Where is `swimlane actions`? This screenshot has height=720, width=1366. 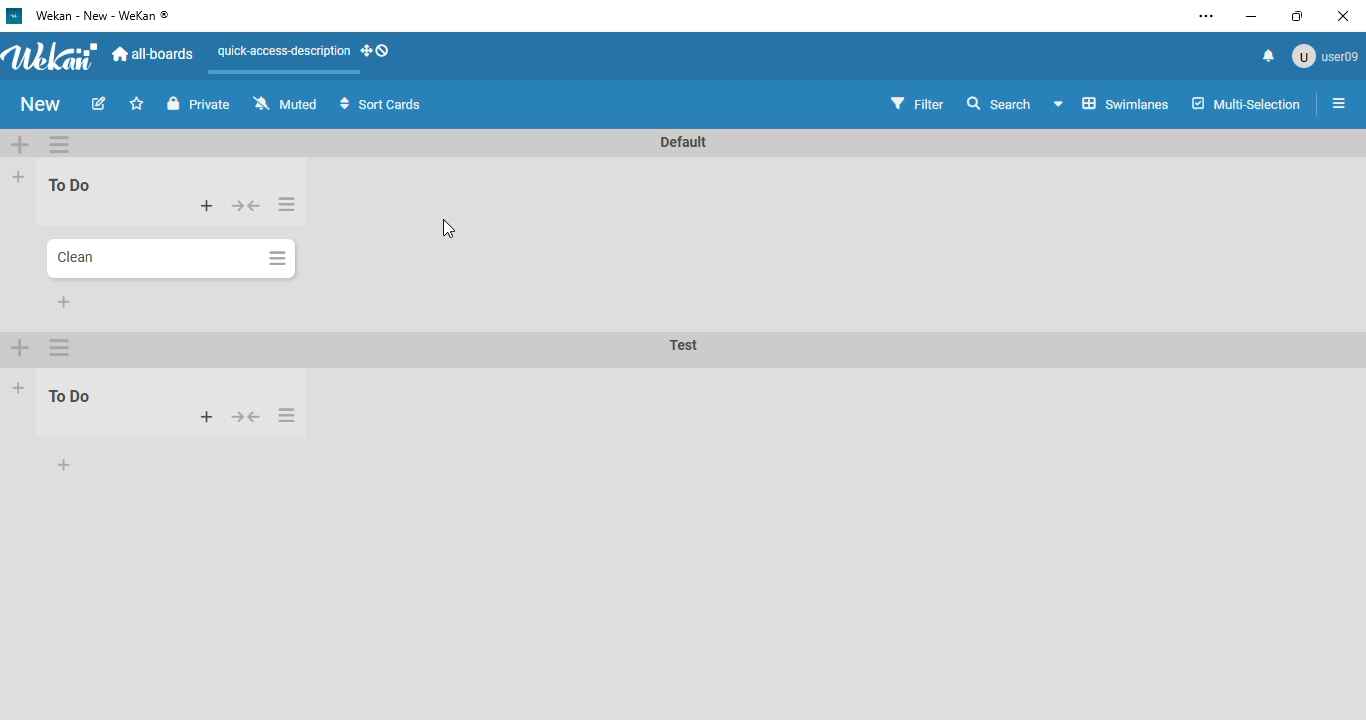
swimlane actions is located at coordinates (60, 145).